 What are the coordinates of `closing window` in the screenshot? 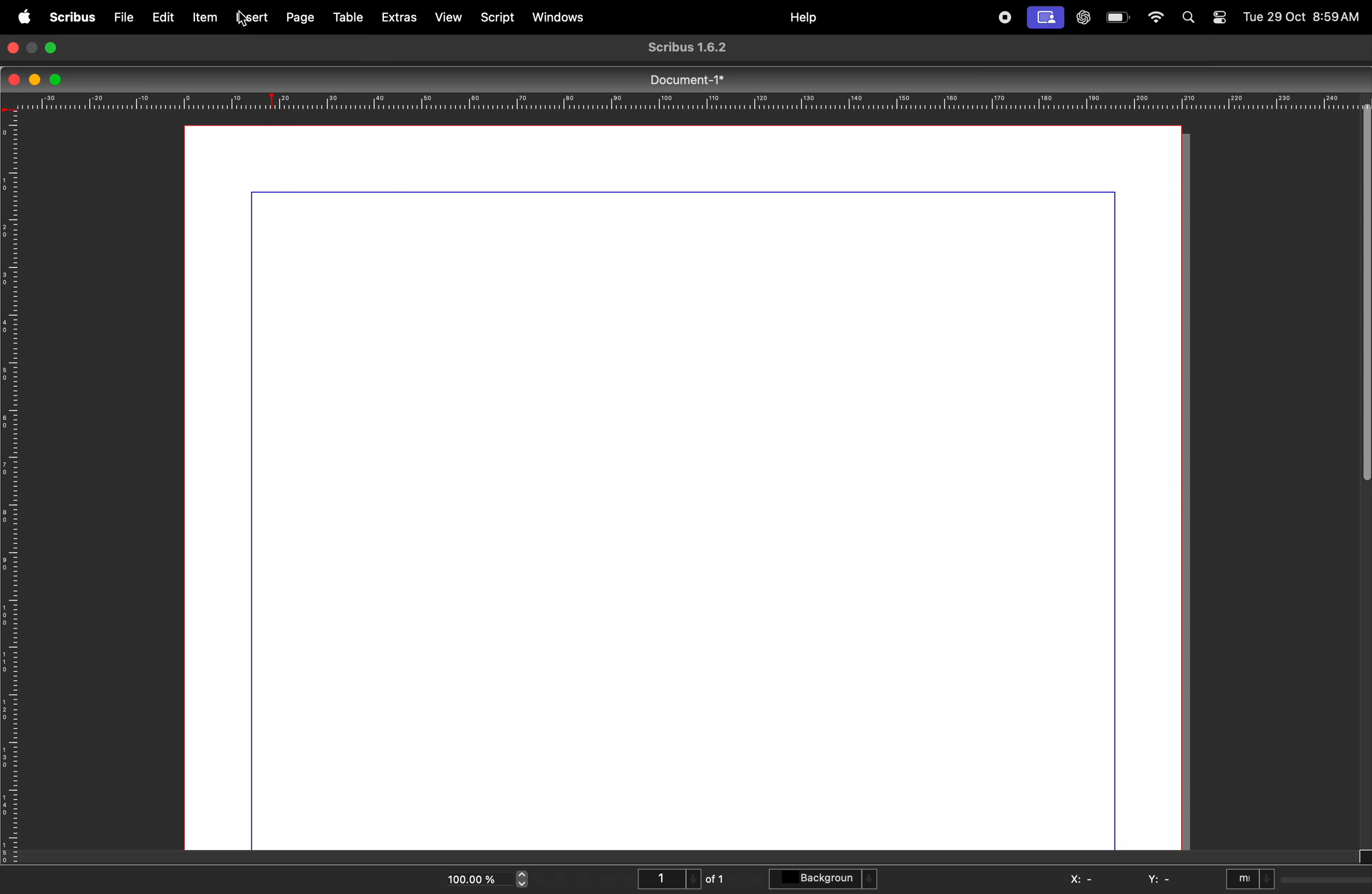 It's located at (13, 47).